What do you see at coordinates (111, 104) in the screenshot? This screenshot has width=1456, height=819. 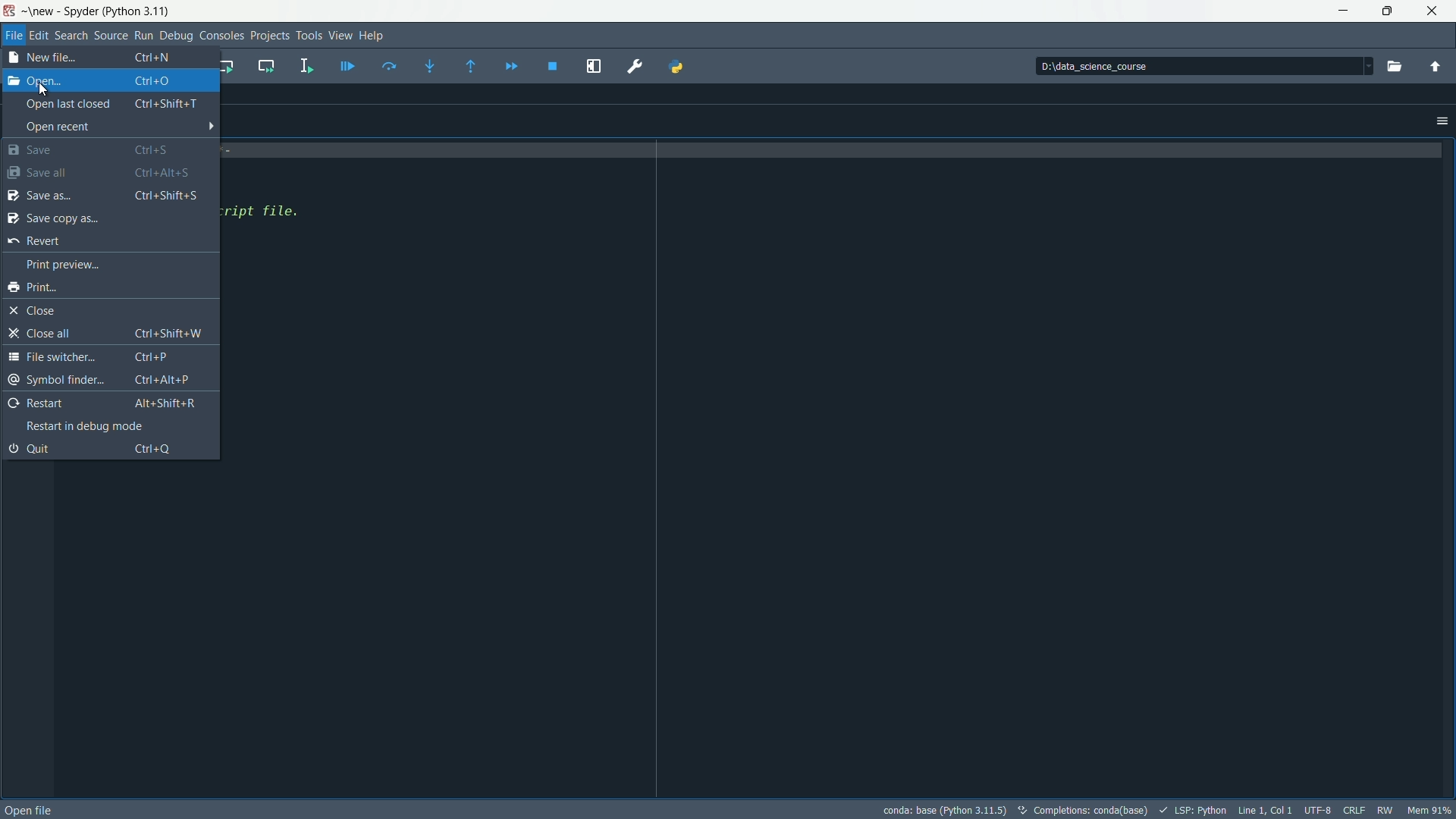 I see `open last closed` at bounding box center [111, 104].